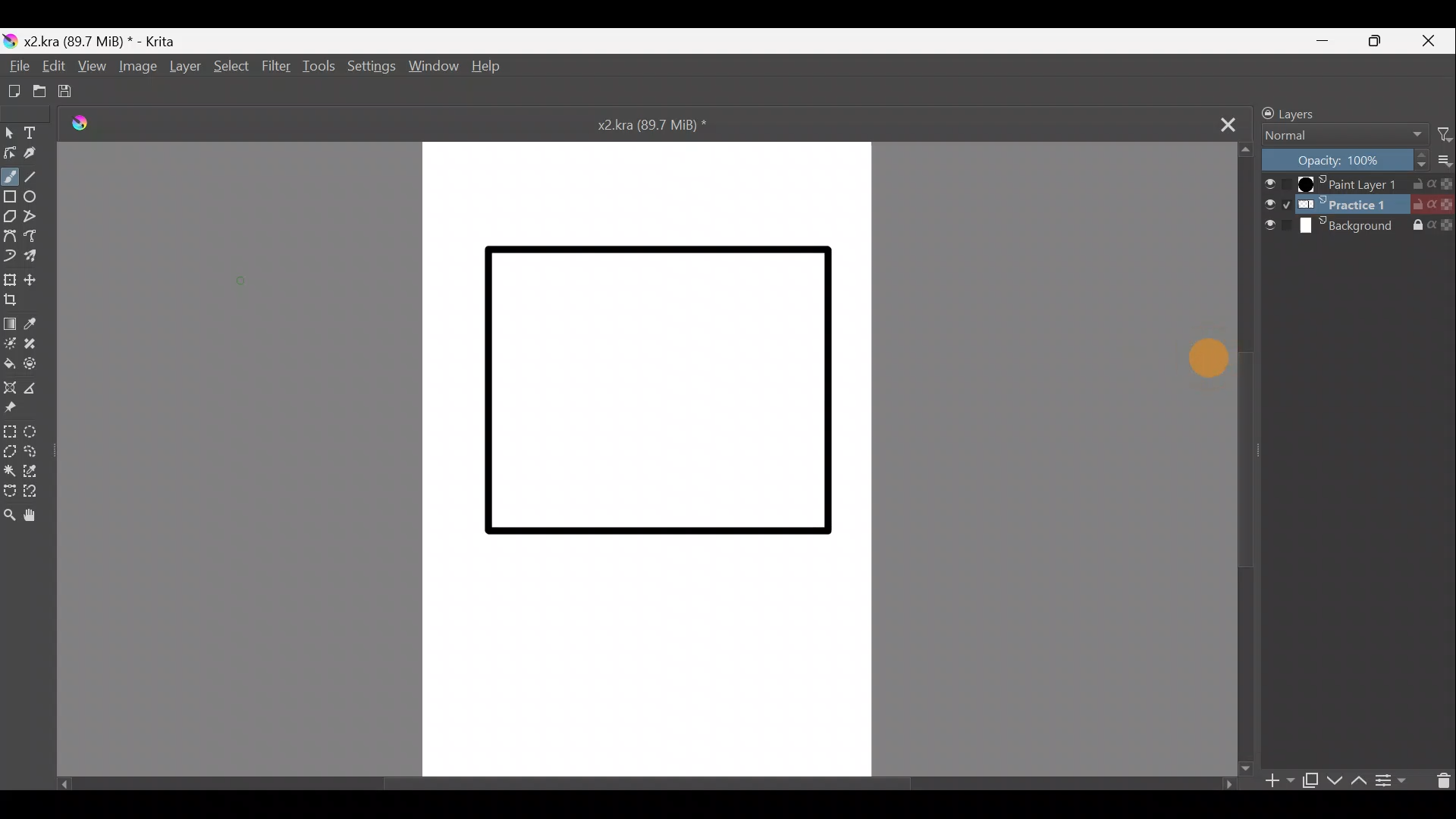 This screenshot has height=819, width=1456. Describe the element at coordinates (12, 177) in the screenshot. I see `Freehand brush tool` at that location.